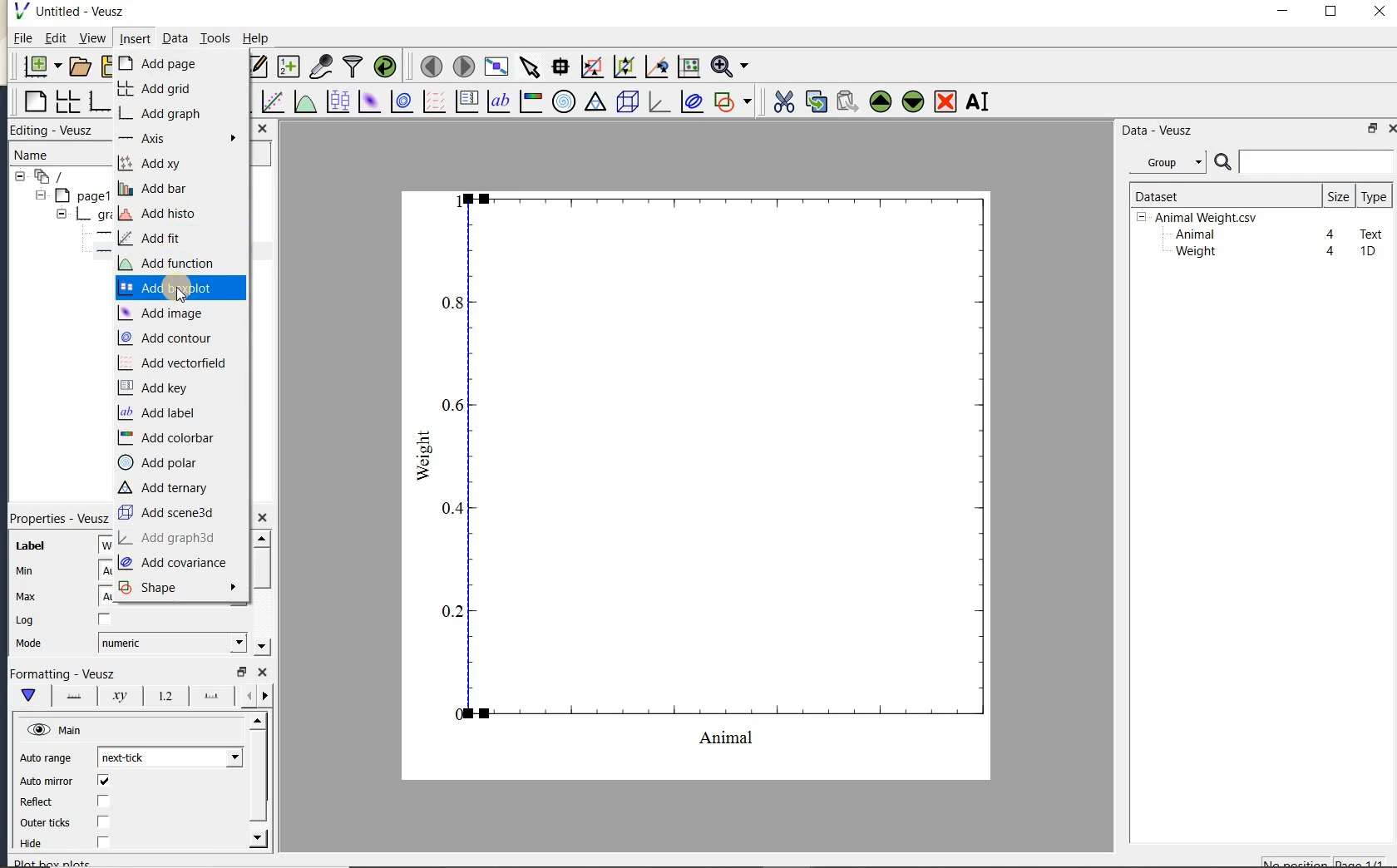 The height and width of the screenshot is (868, 1397). Describe the element at coordinates (44, 802) in the screenshot. I see `Reflect` at that location.